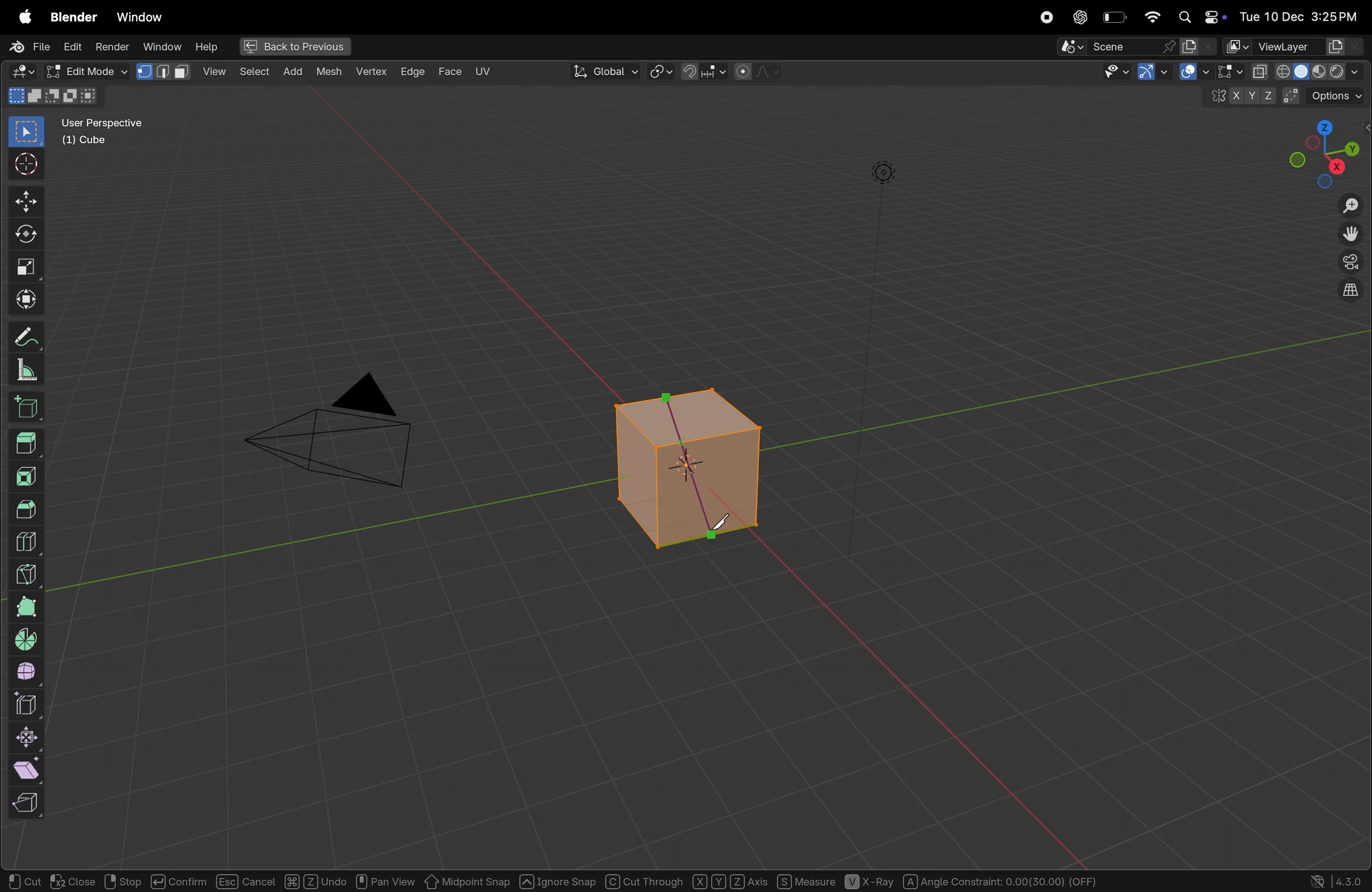 This screenshot has height=892, width=1372. Describe the element at coordinates (110, 131) in the screenshot. I see `user perscpective` at that location.